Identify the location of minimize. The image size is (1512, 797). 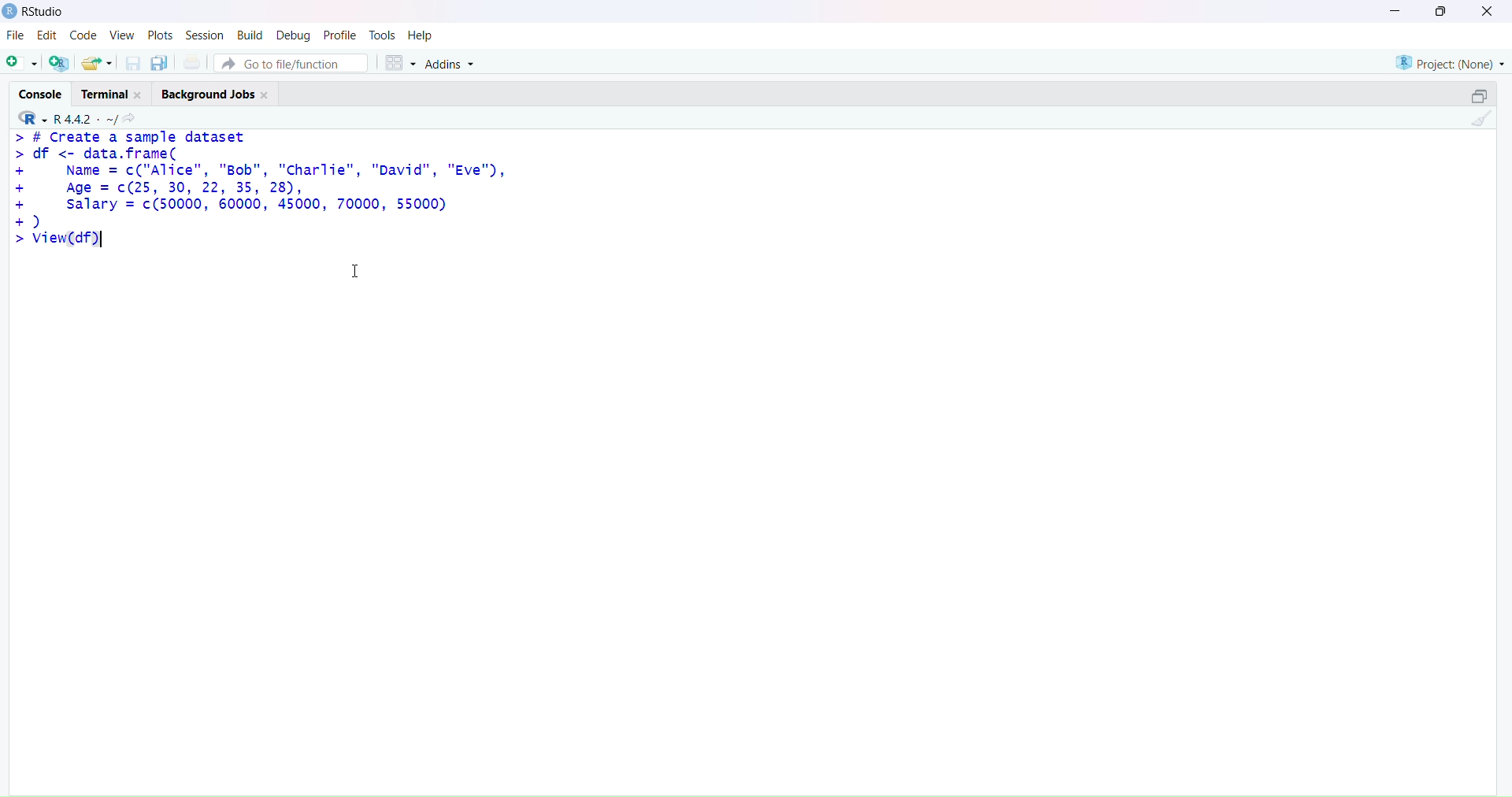
(1388, 10).